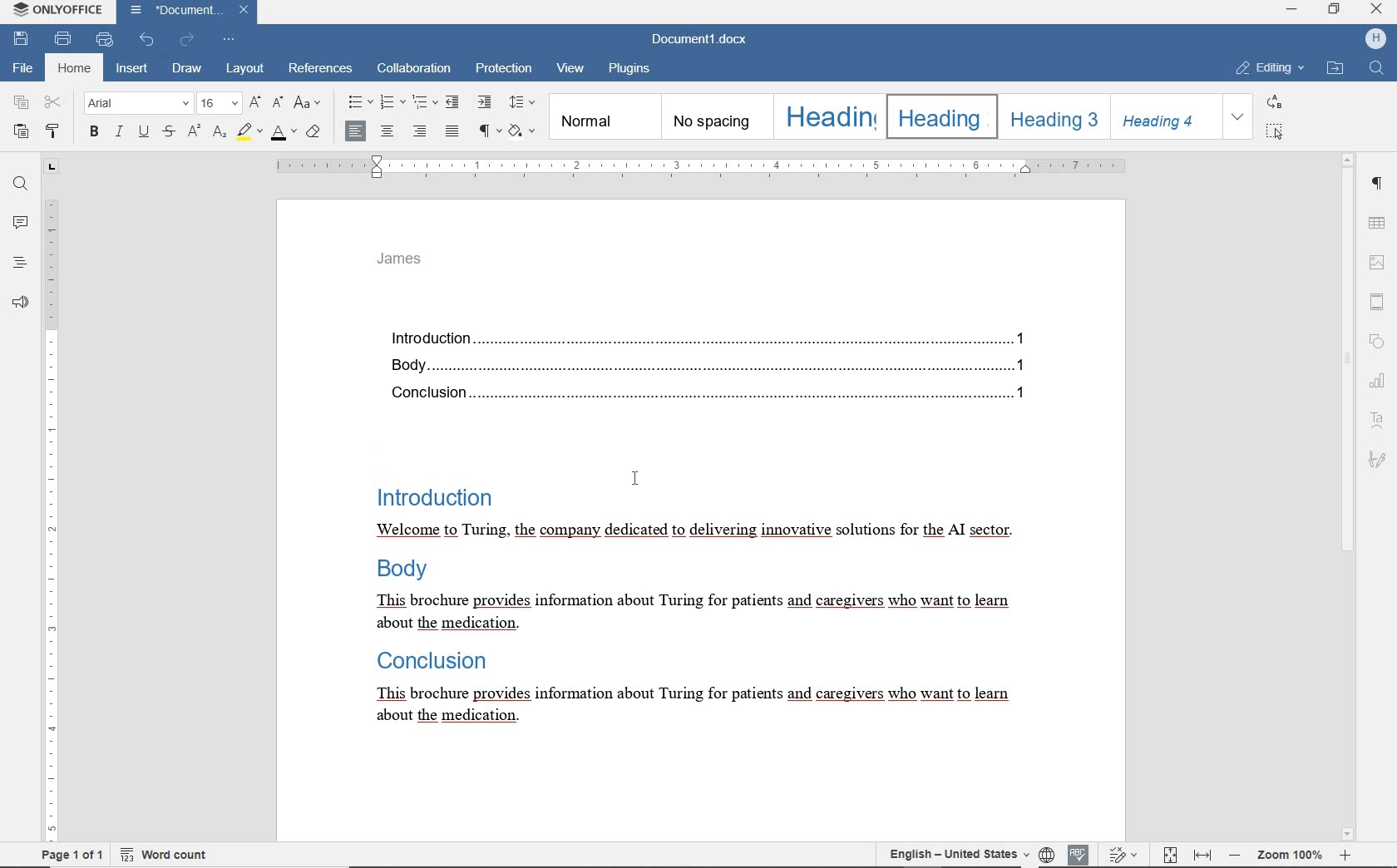  Describe the element at coordinates (58, 12) in the screenshot. I see `system name` at that location.